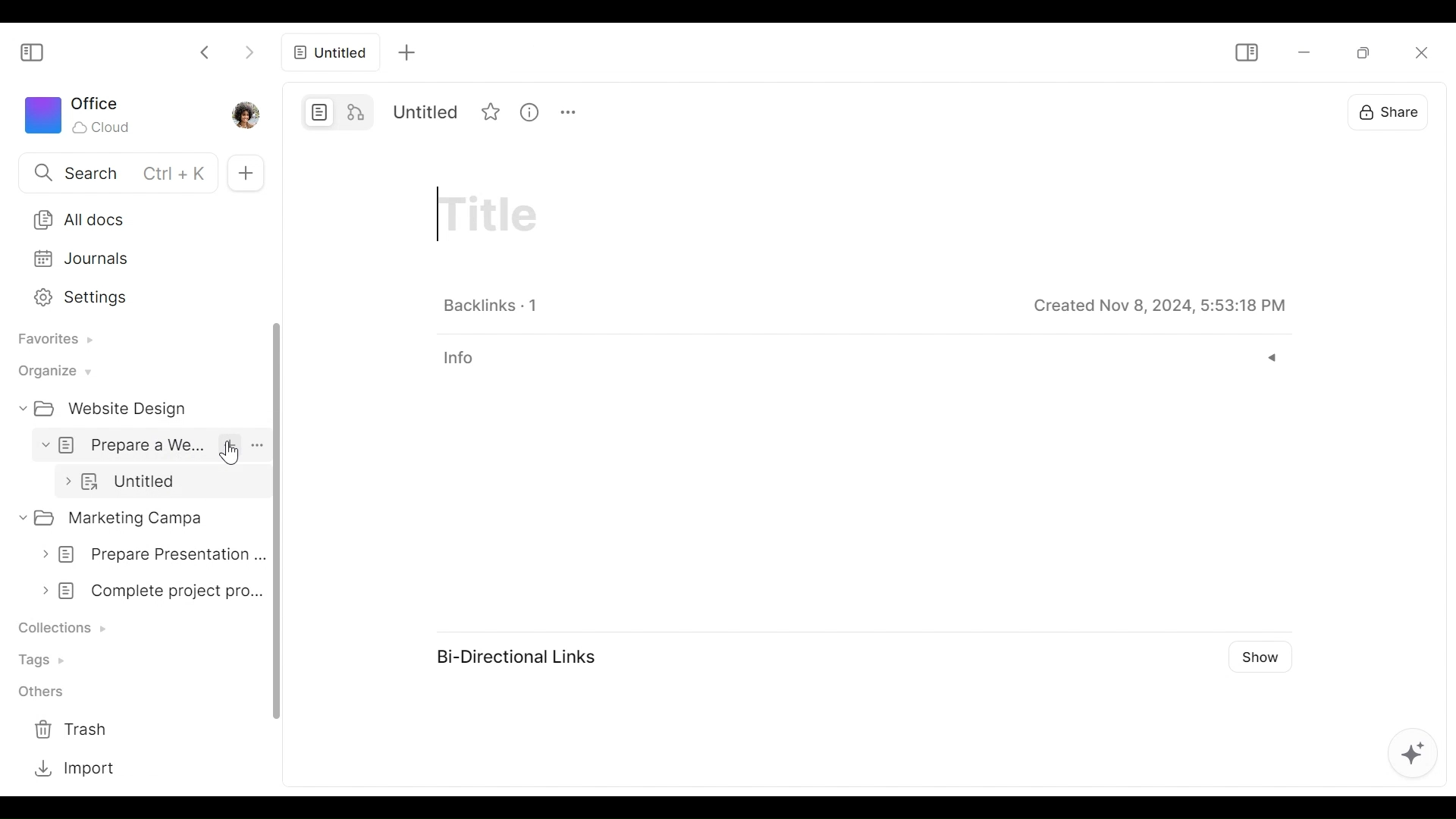 This screenshot has height=819, width=1456. Describe the element at coordinates (358, 113) in the screenshot. I see `Edgeless mode` at that location.